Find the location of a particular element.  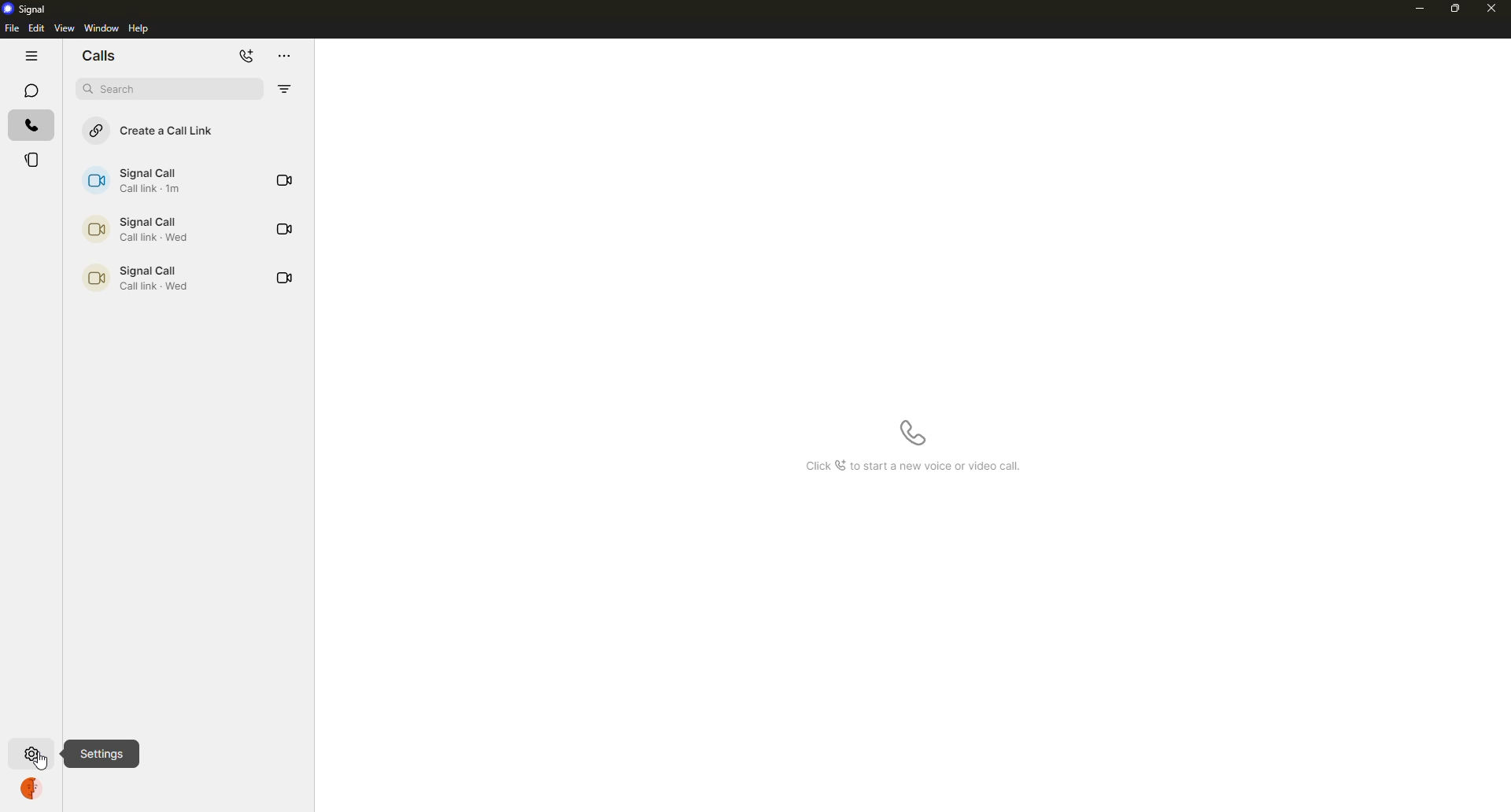

call link is located at coordinates (133, 277).